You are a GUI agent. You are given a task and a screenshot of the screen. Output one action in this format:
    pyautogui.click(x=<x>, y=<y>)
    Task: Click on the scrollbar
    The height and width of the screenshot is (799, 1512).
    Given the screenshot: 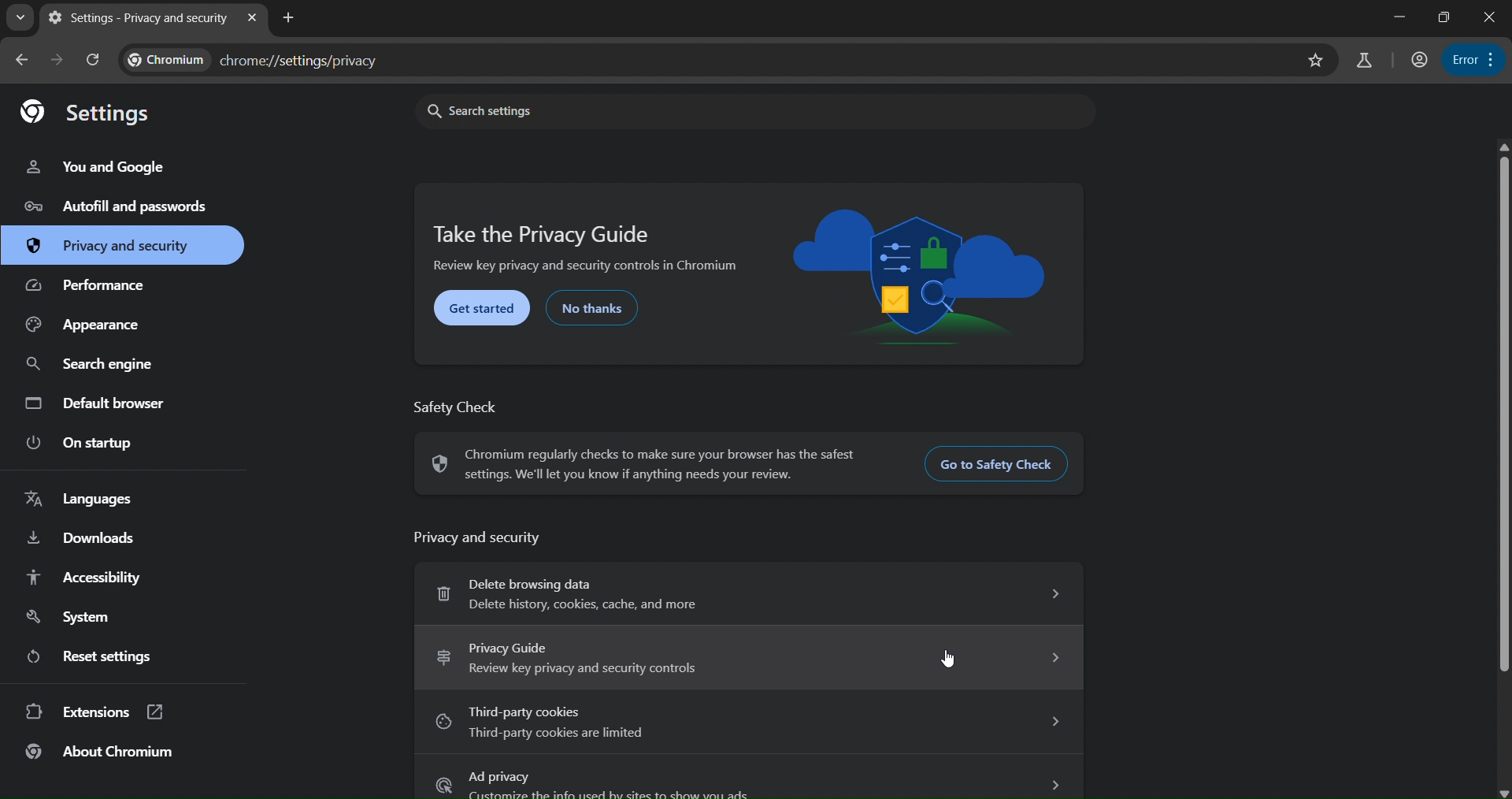 What is the action you would take?
    pyautogui.click(x=1504, y=409)
    